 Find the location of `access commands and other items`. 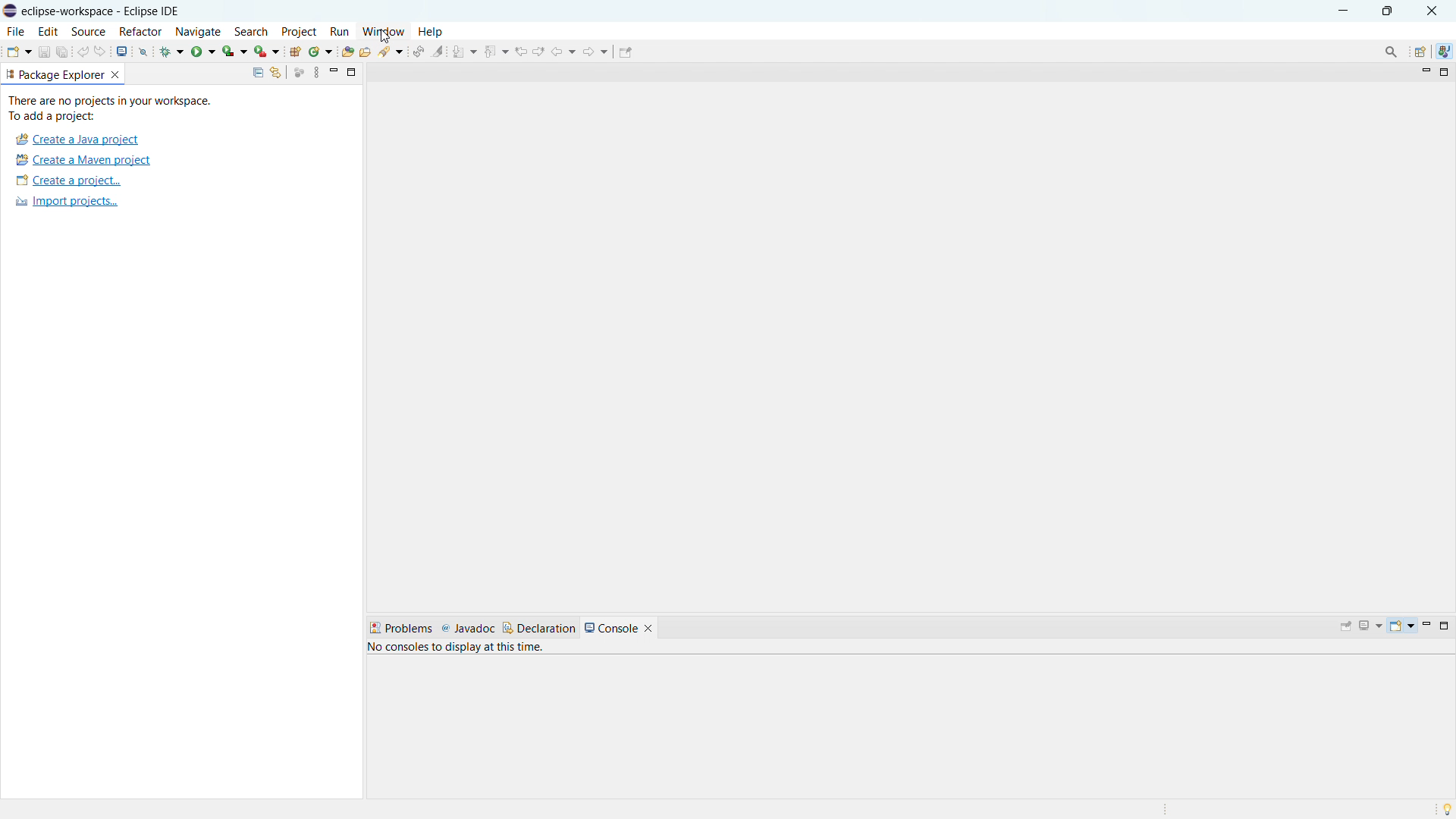

access commands and other items is located at coordinates (1392, 52).